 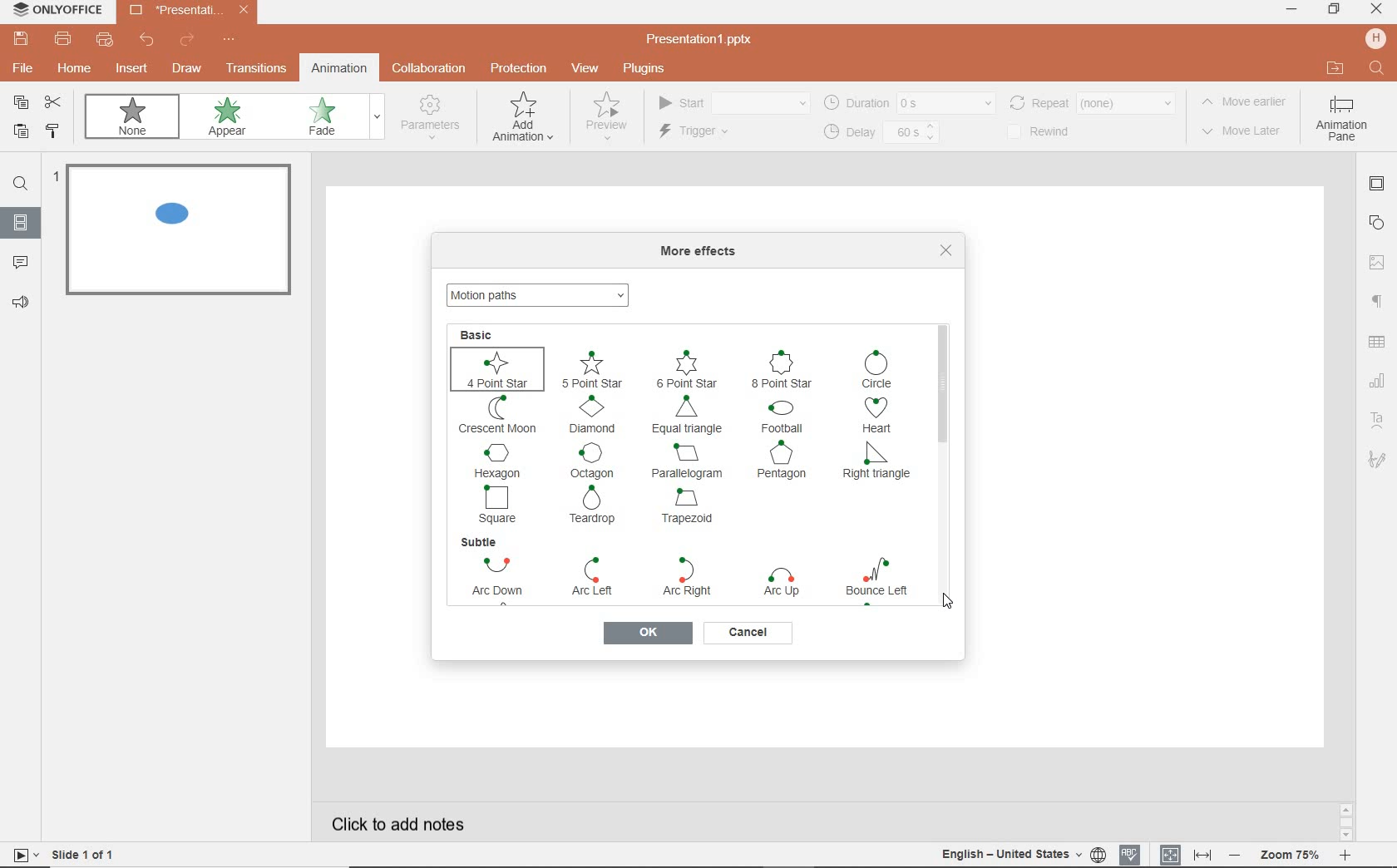 What do you see at coordinates (588, 69) in the screenshot?
I see `view` at bounding box center [588, 69].